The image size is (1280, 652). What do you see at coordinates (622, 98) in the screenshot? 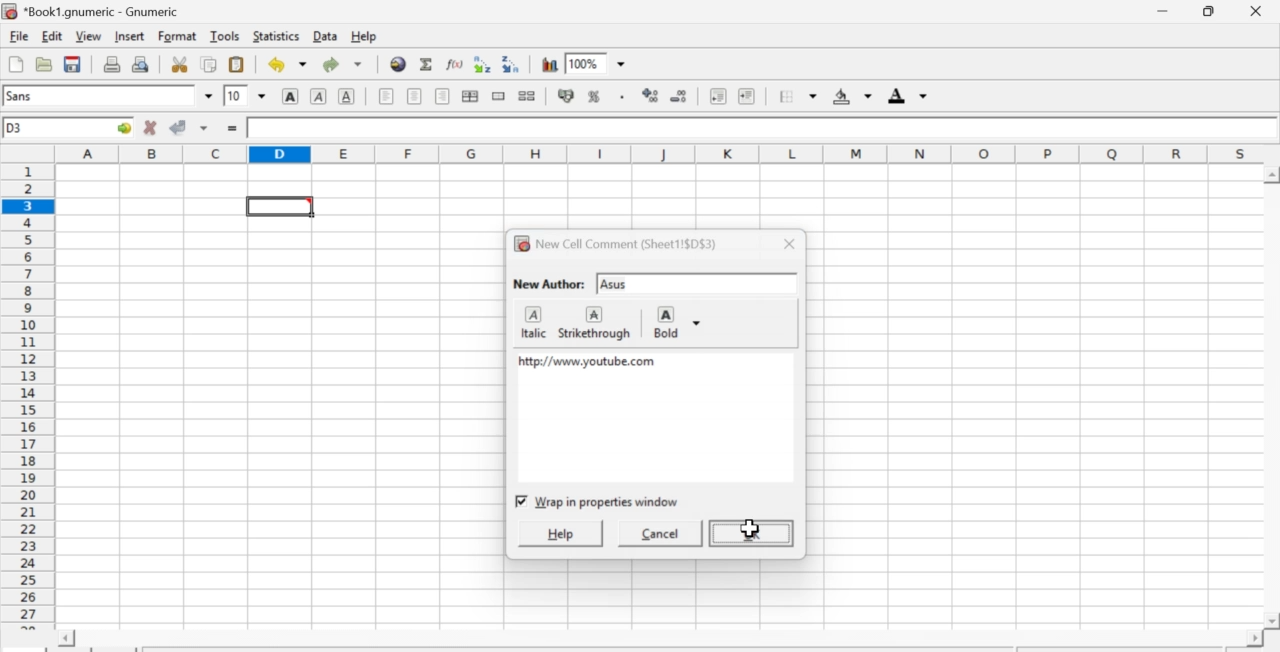
I see `Include thousands separator` at bounding box center [622, 98].